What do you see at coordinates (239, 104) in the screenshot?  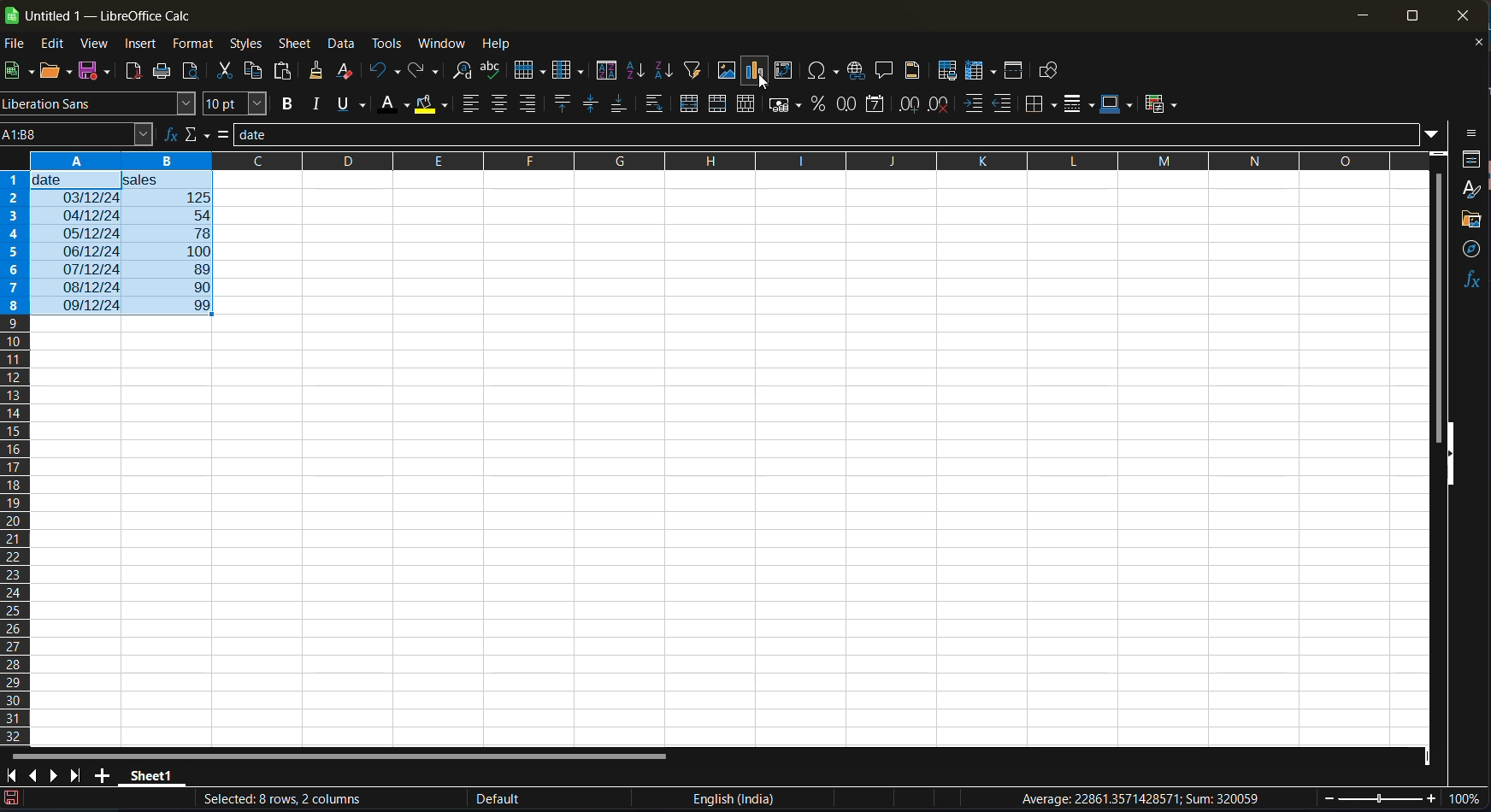 I see `font size` at bounding box center [239, 104].